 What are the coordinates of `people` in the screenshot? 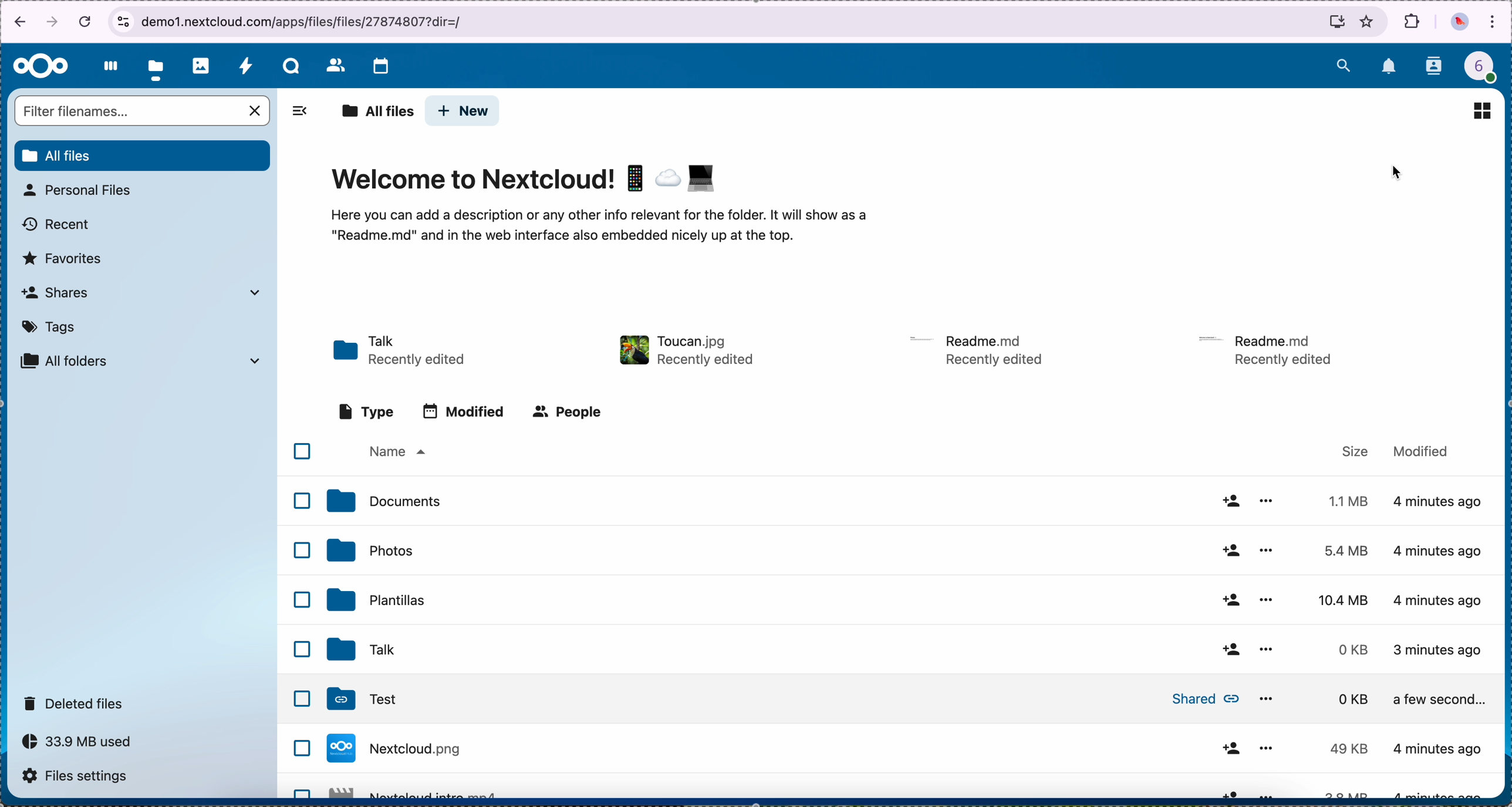 It's located at (566, 411).